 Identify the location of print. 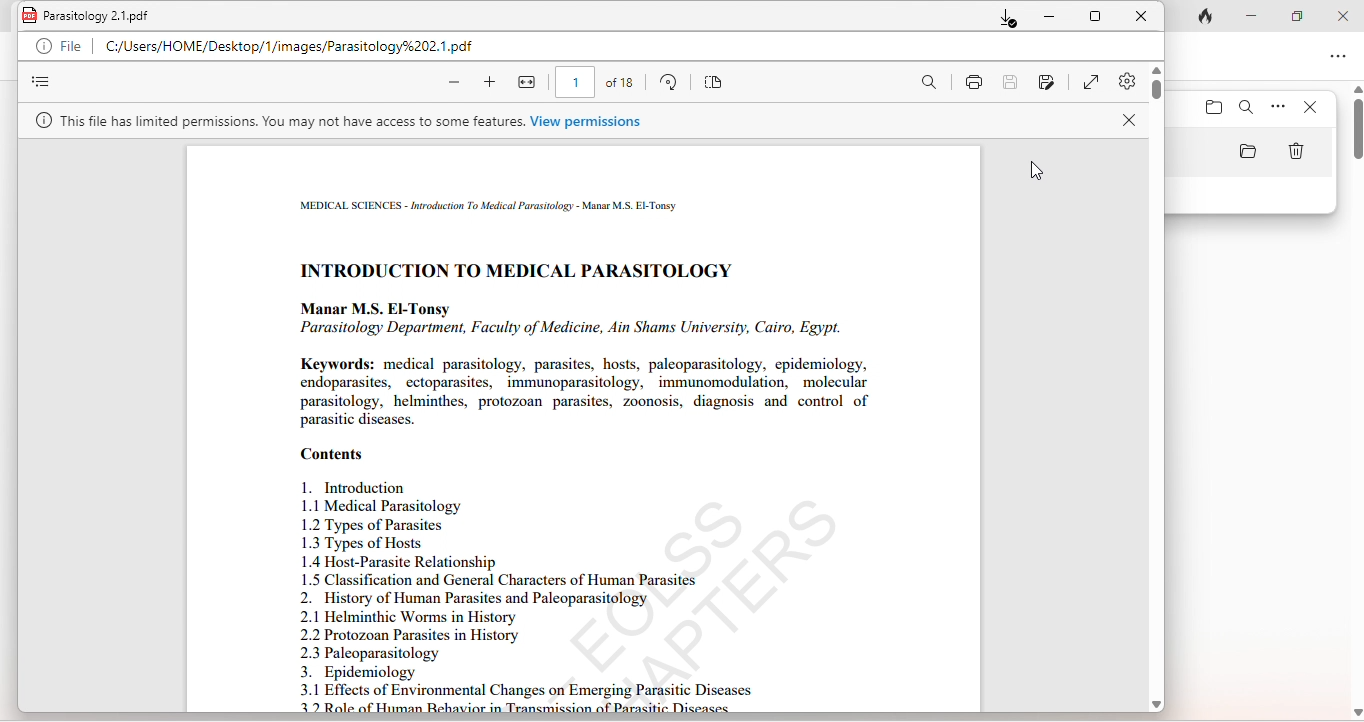
(971, 82).